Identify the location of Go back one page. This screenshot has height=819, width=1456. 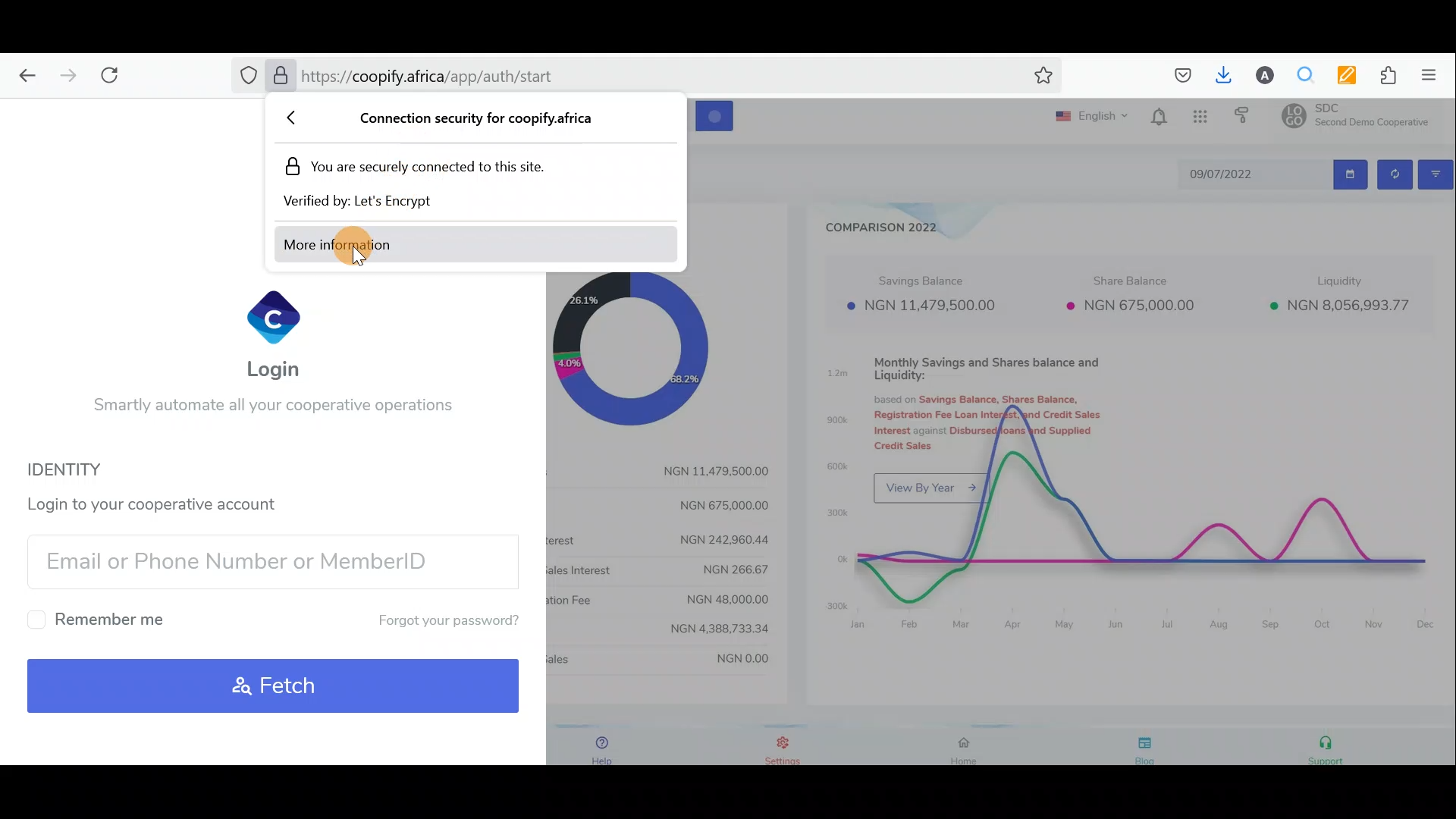
(23, 76).